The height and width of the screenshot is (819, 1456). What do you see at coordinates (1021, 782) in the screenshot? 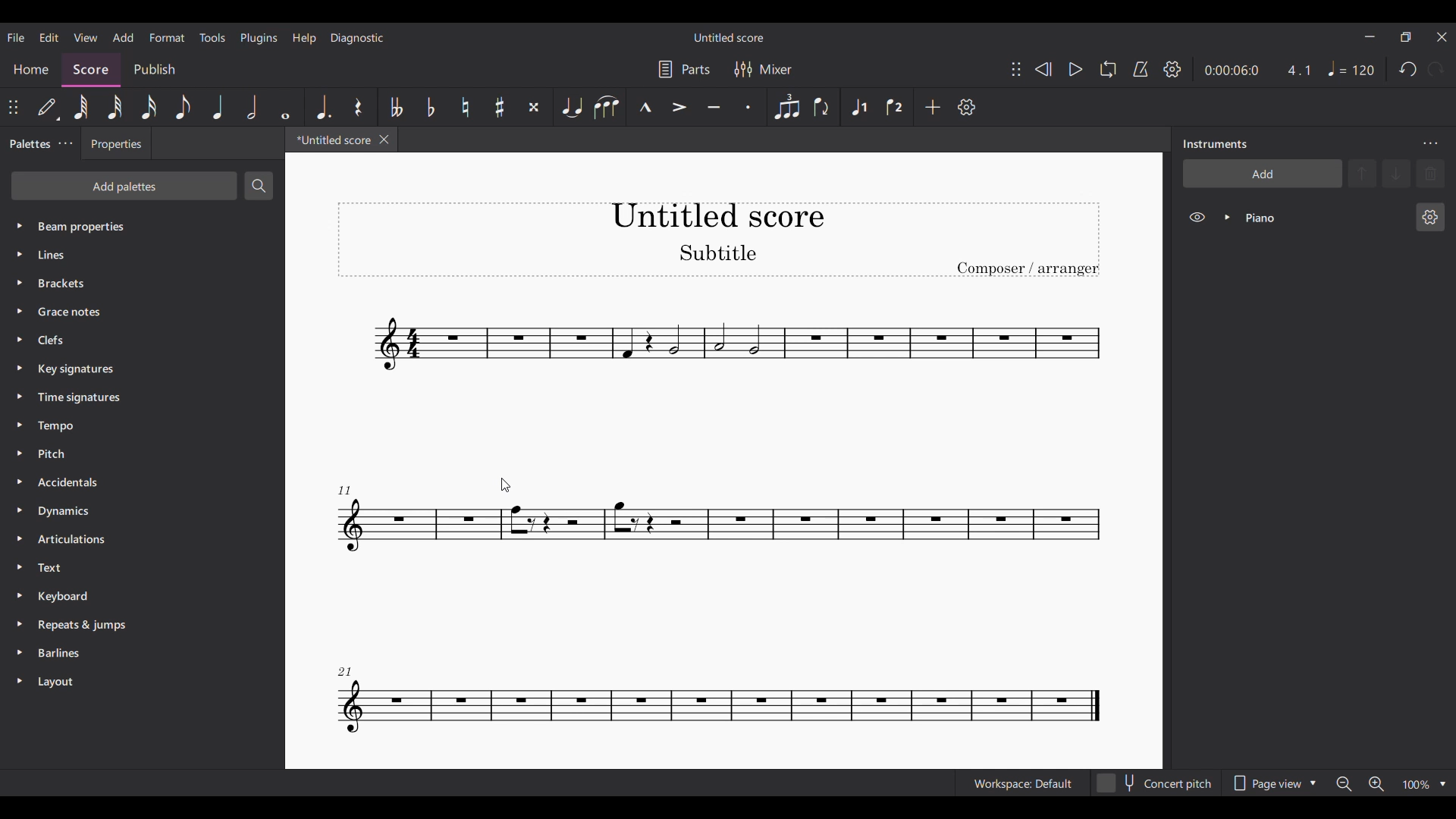
I see `Workspace default` at bounding box center [1021, 782].